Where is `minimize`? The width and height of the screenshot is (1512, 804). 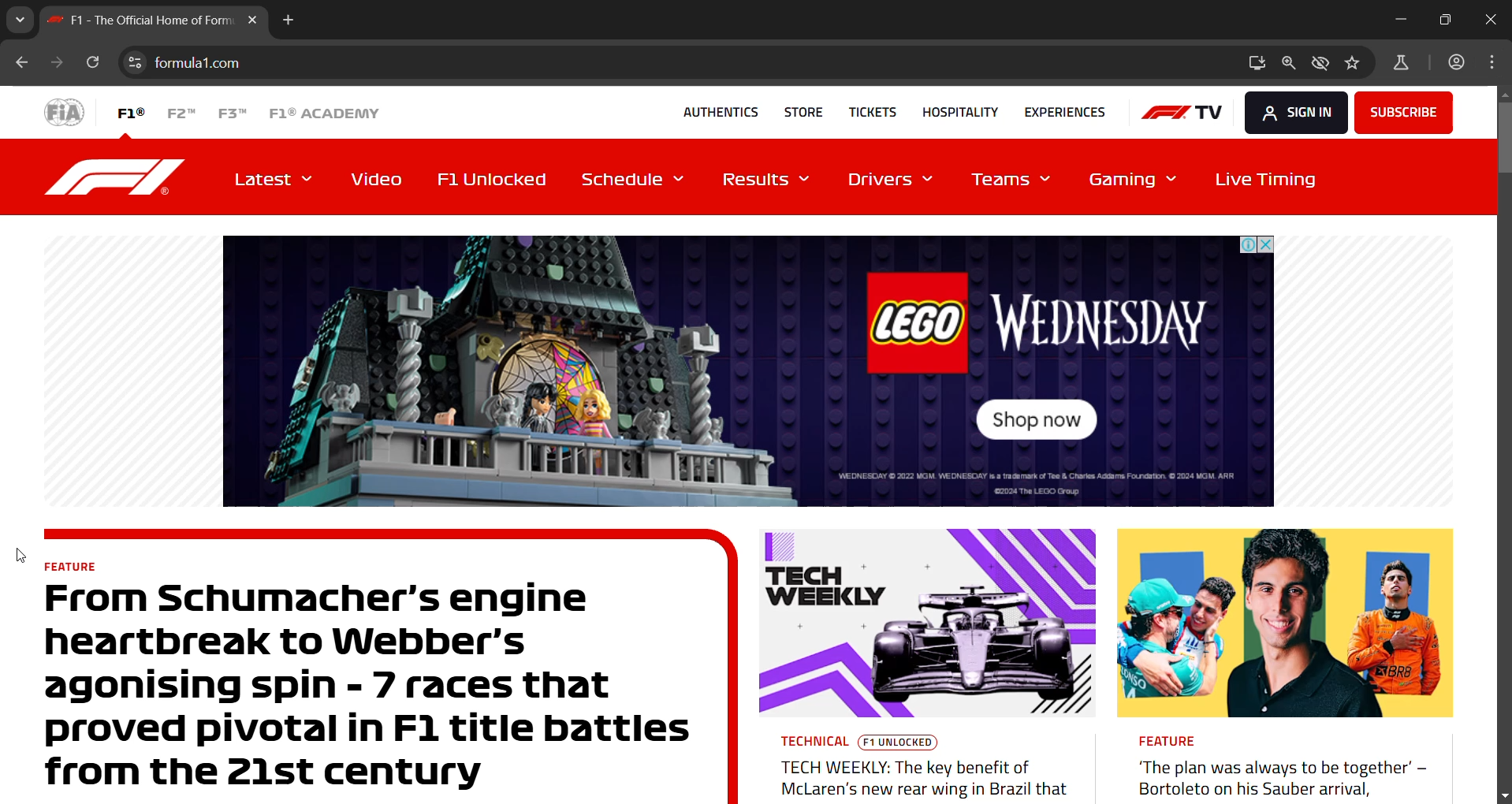 minimize is located at coordinates (1402, 20).